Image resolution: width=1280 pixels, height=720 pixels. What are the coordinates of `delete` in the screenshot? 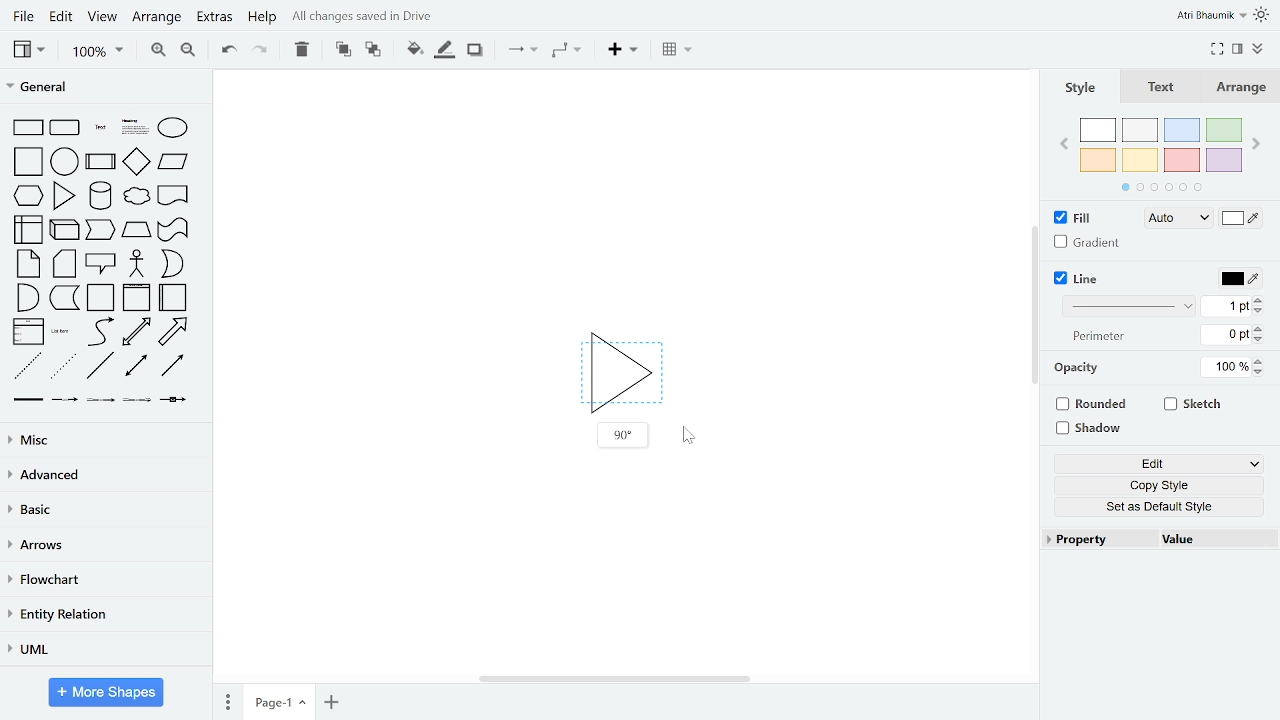 It's located at (302, 49).